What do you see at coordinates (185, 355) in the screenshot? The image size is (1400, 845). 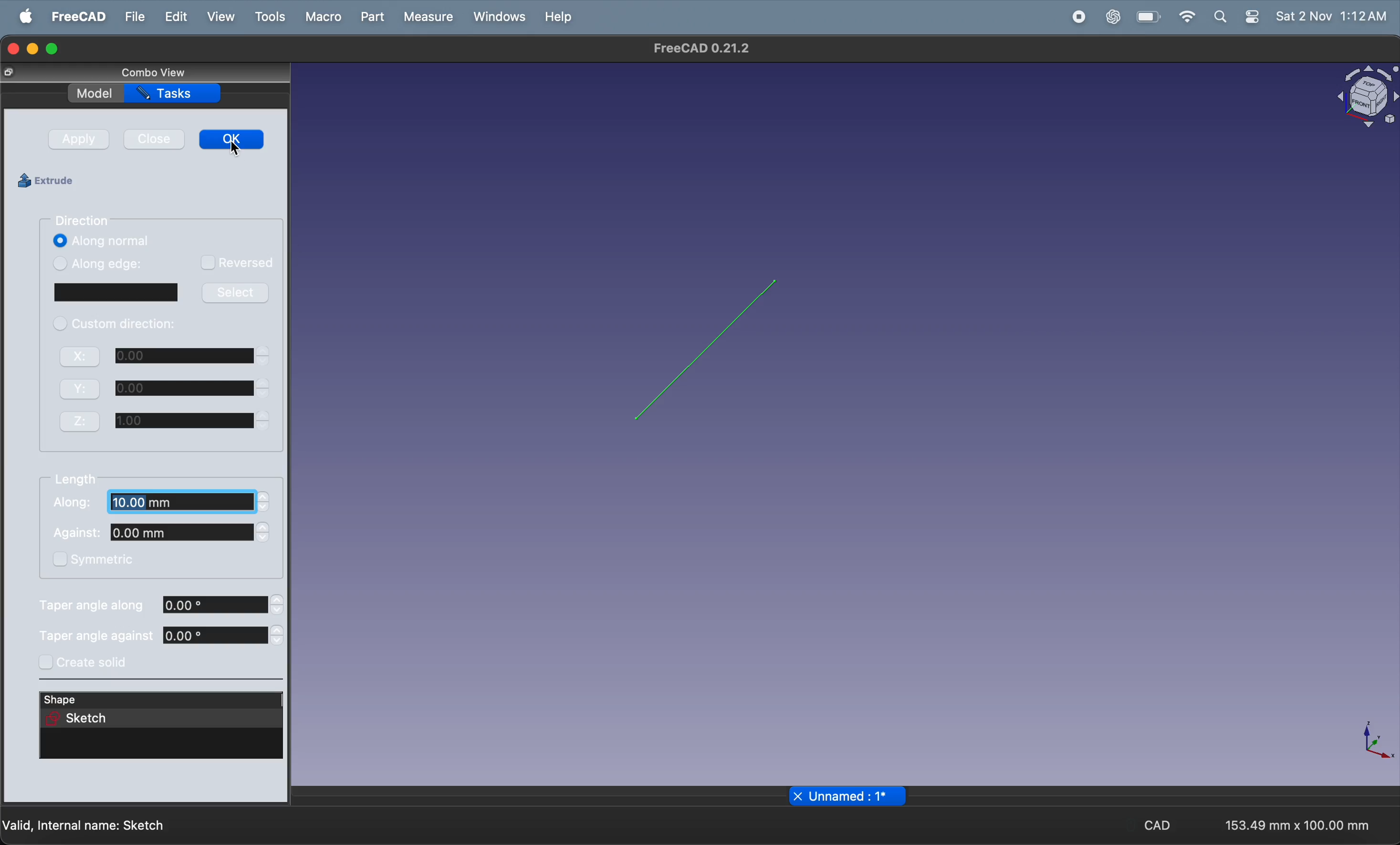 I see `0.00` at bounding box center [185, 355].